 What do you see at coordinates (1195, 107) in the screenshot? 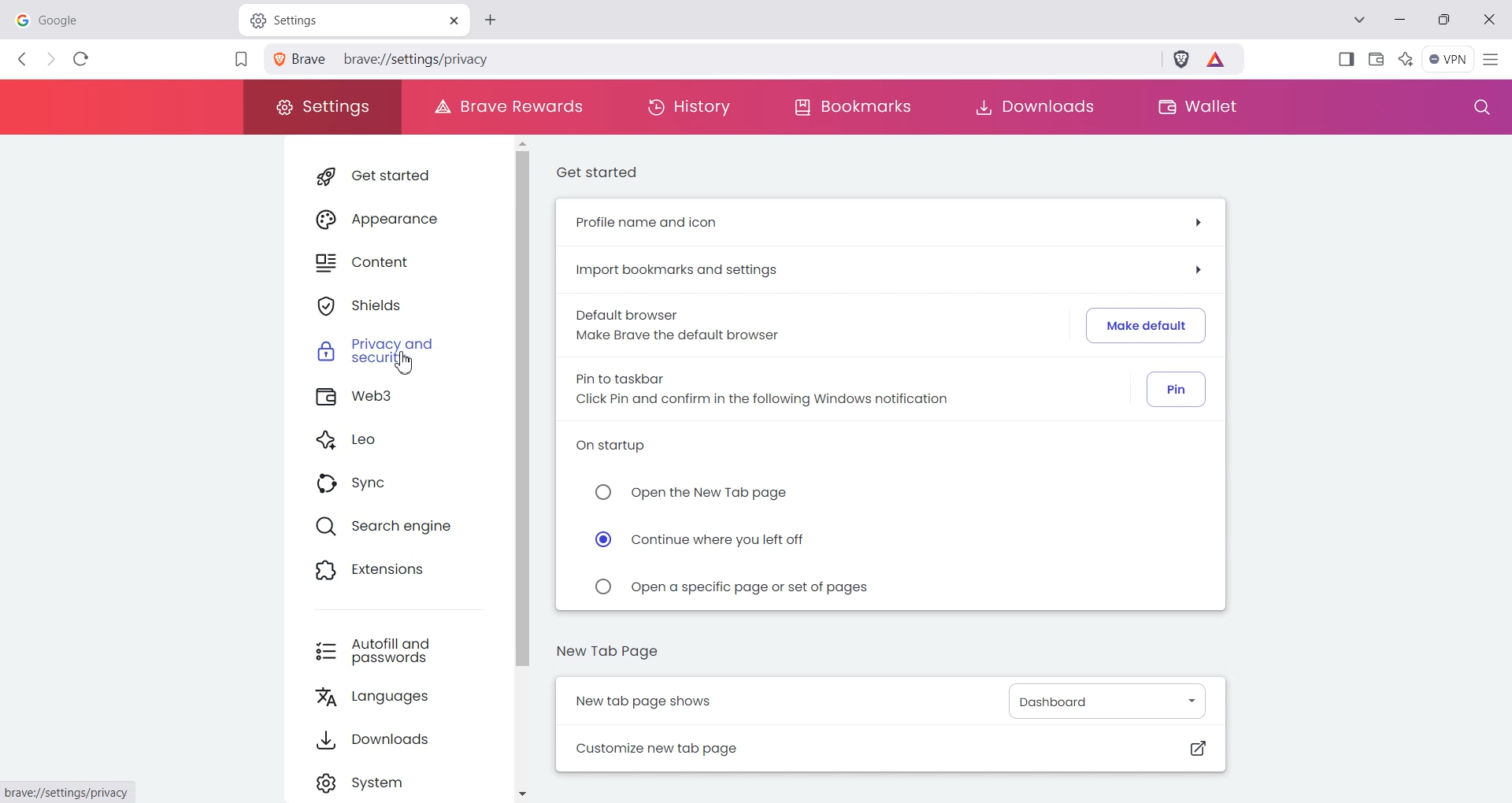
I see `Wallet` at bounding box center [1195, 107].